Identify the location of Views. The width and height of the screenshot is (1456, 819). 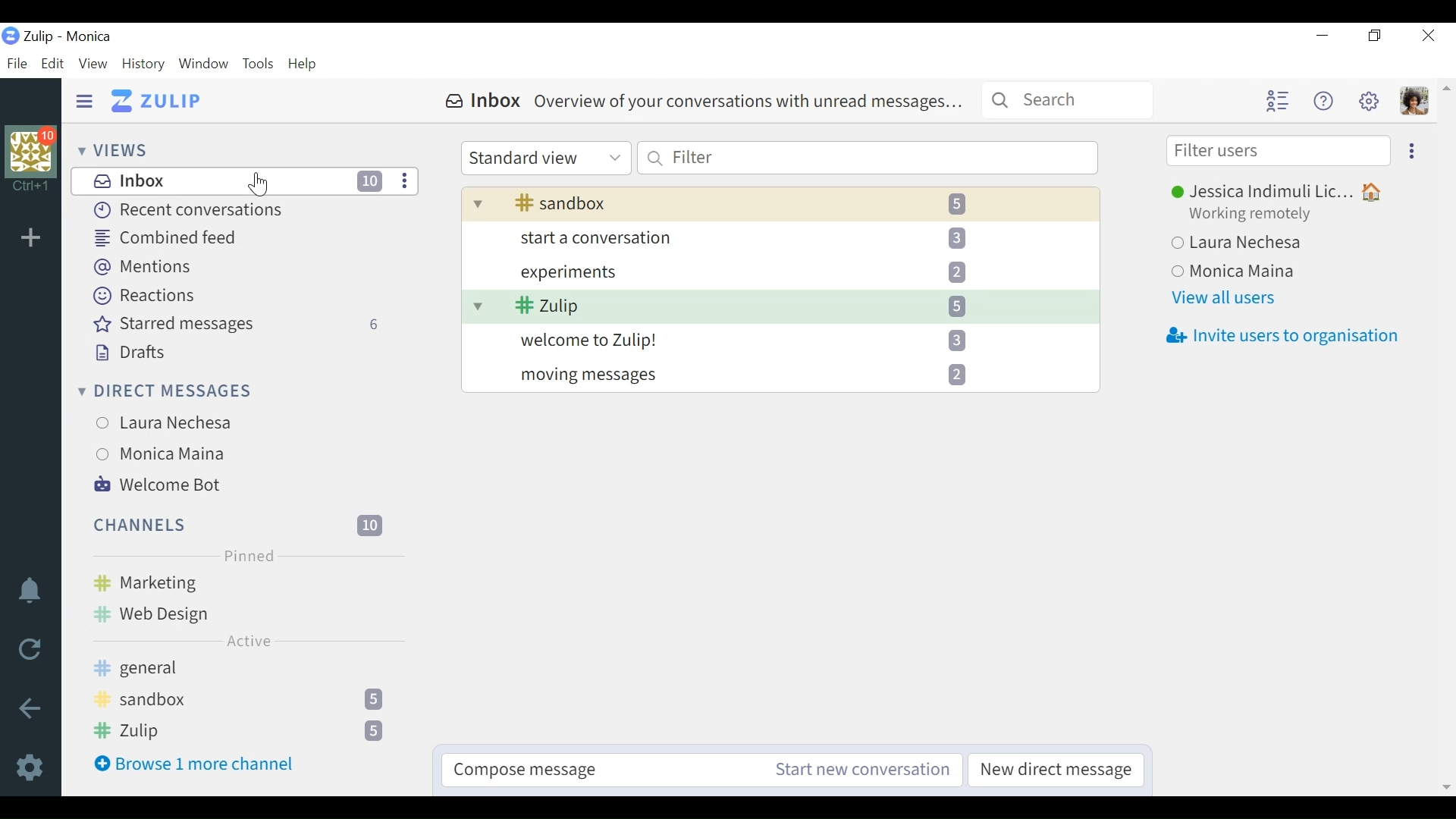
(113, 150).